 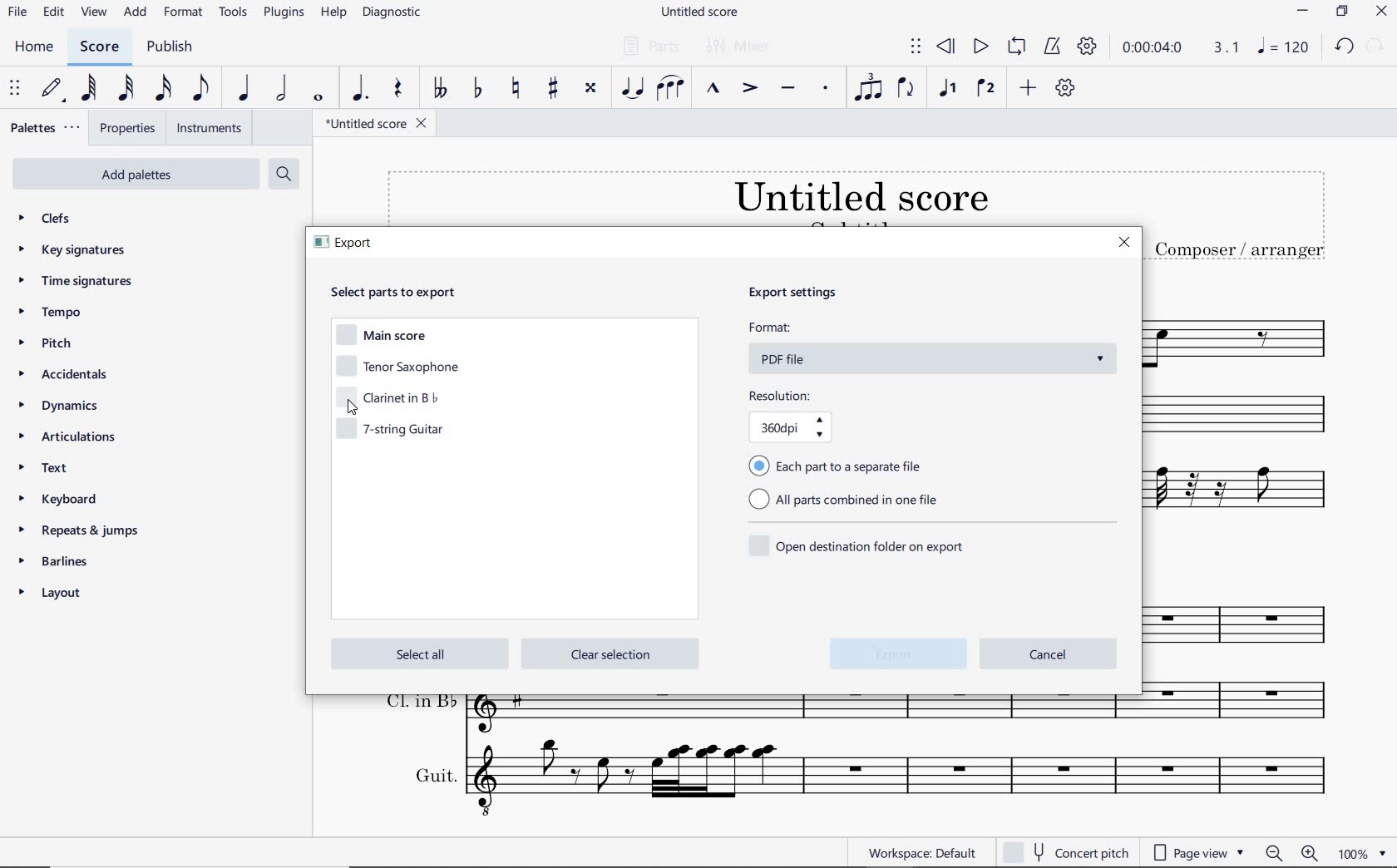 I want to click on Tenor Saxophone, so click(x=1244, y=334).